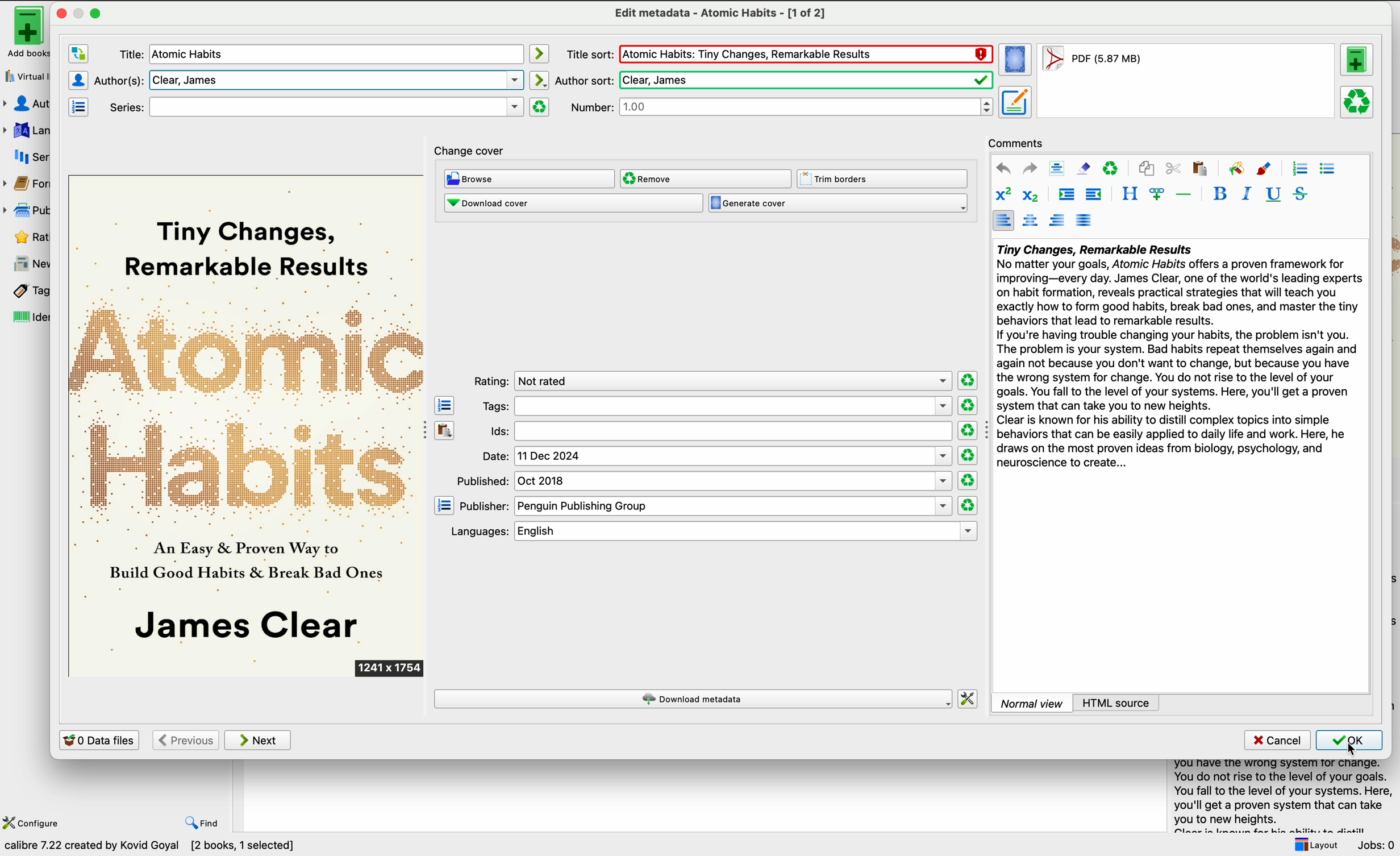 This screenshot has width=1400, height=856. I want to click on edit metadata, so click(719, 14).